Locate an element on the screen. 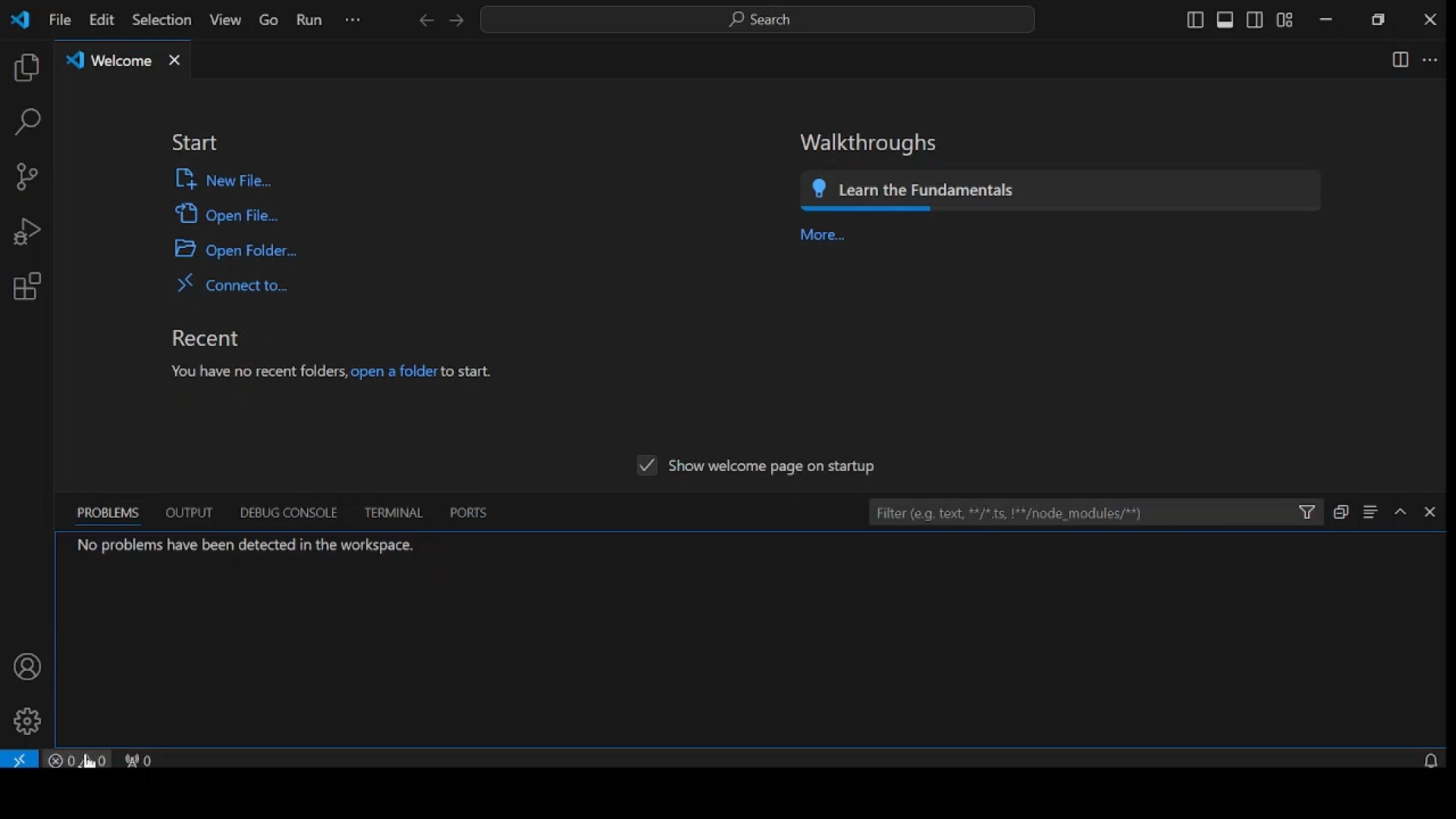 This screenshot has height=819, width=1456. notification is located at coordinates (1431, 759).